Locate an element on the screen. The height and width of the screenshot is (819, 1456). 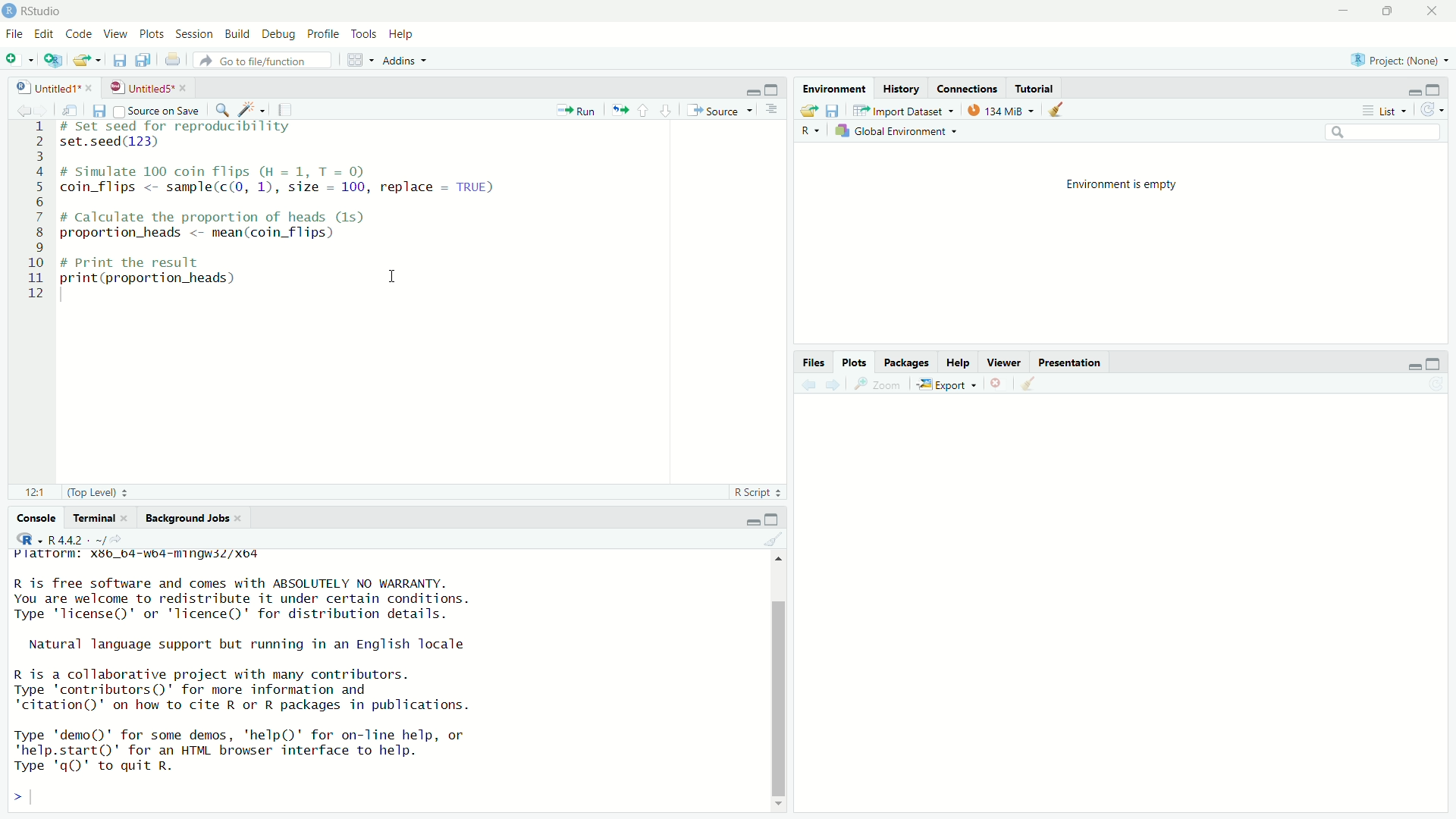
environment is empty is located at coordinates (1125, 188).